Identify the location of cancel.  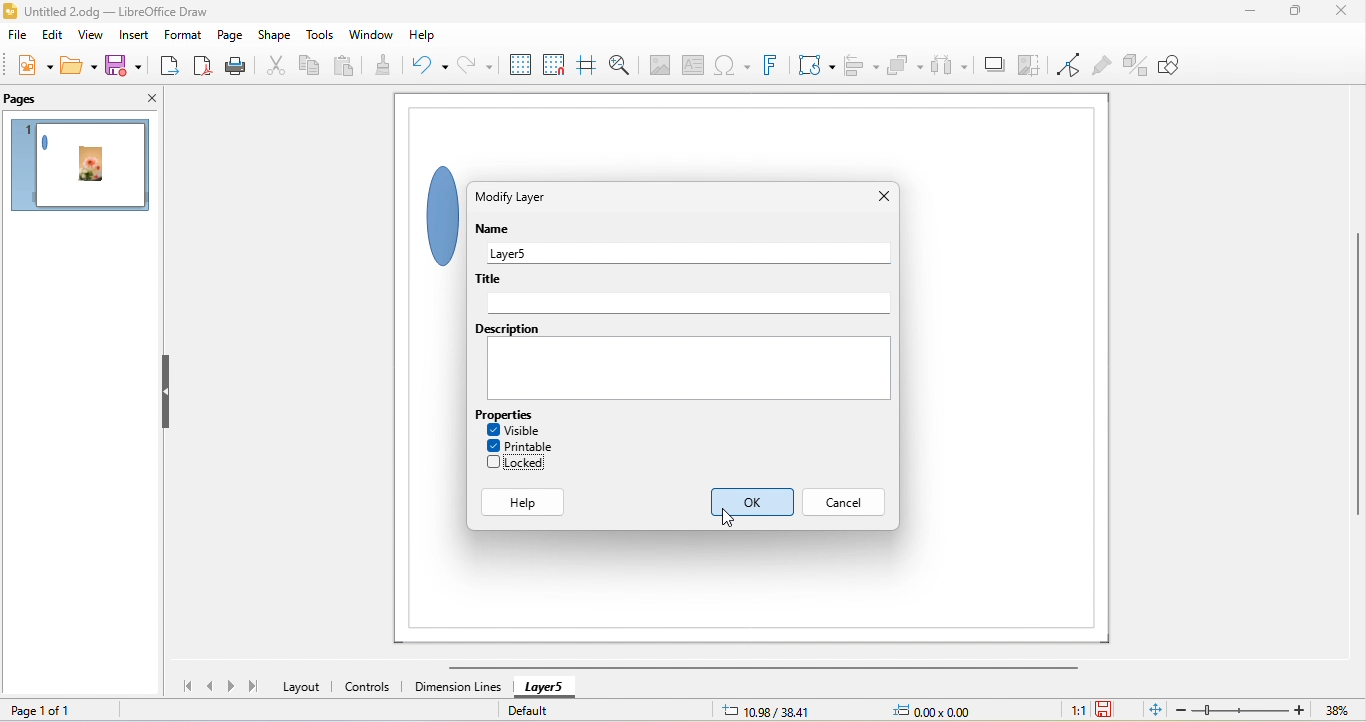
(842, 502).